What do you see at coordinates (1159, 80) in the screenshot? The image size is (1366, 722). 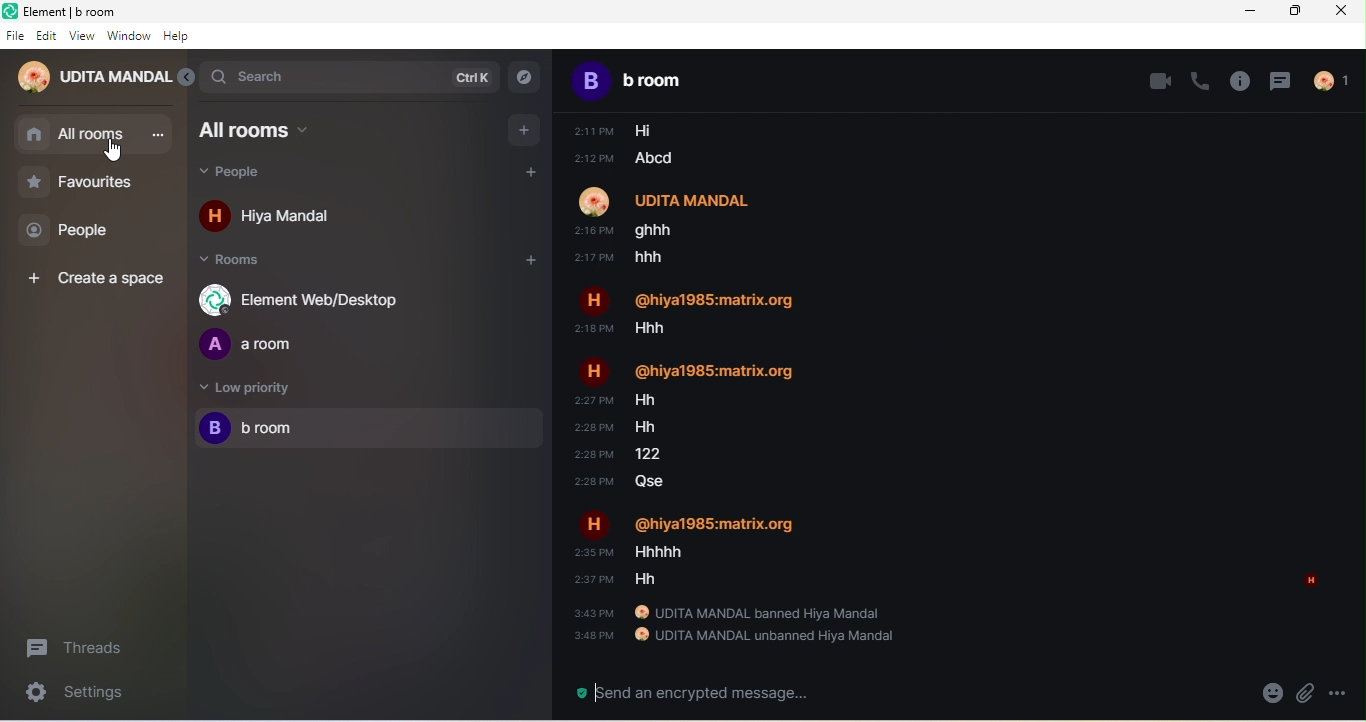 I see `video call` at bounding box center [1159, 80].